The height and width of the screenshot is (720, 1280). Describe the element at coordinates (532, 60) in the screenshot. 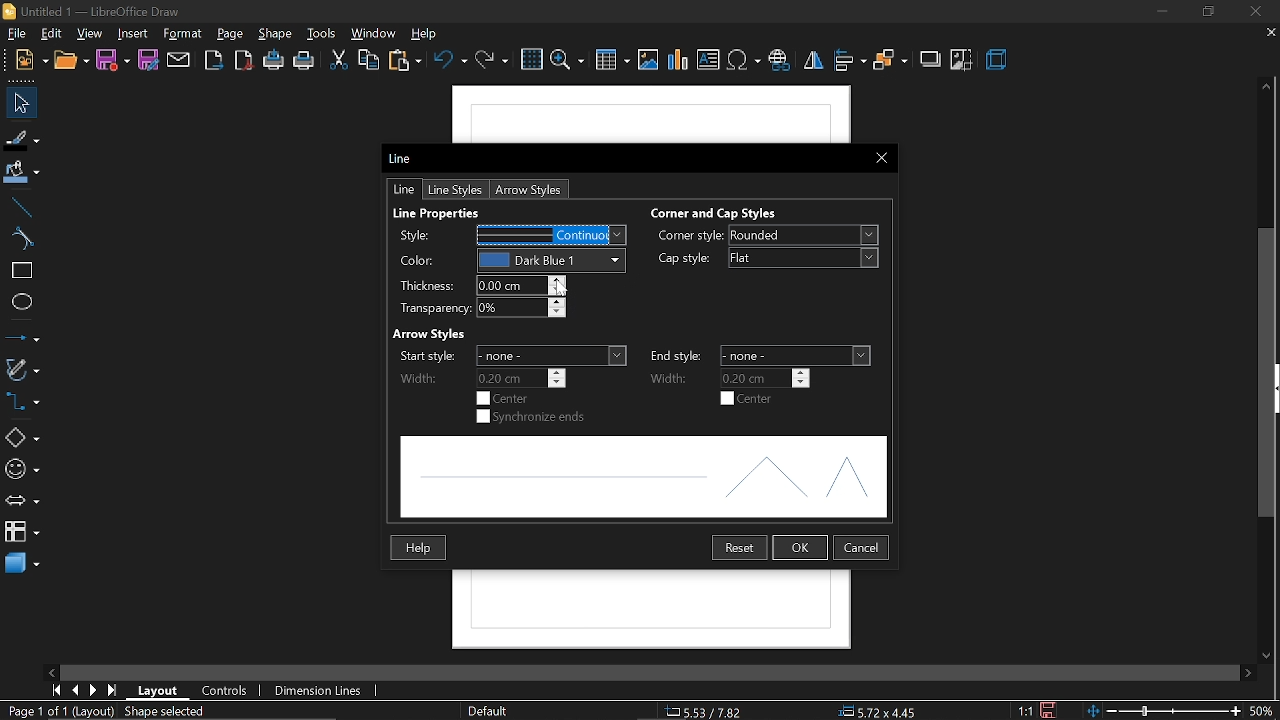

I see `grid` at that location.